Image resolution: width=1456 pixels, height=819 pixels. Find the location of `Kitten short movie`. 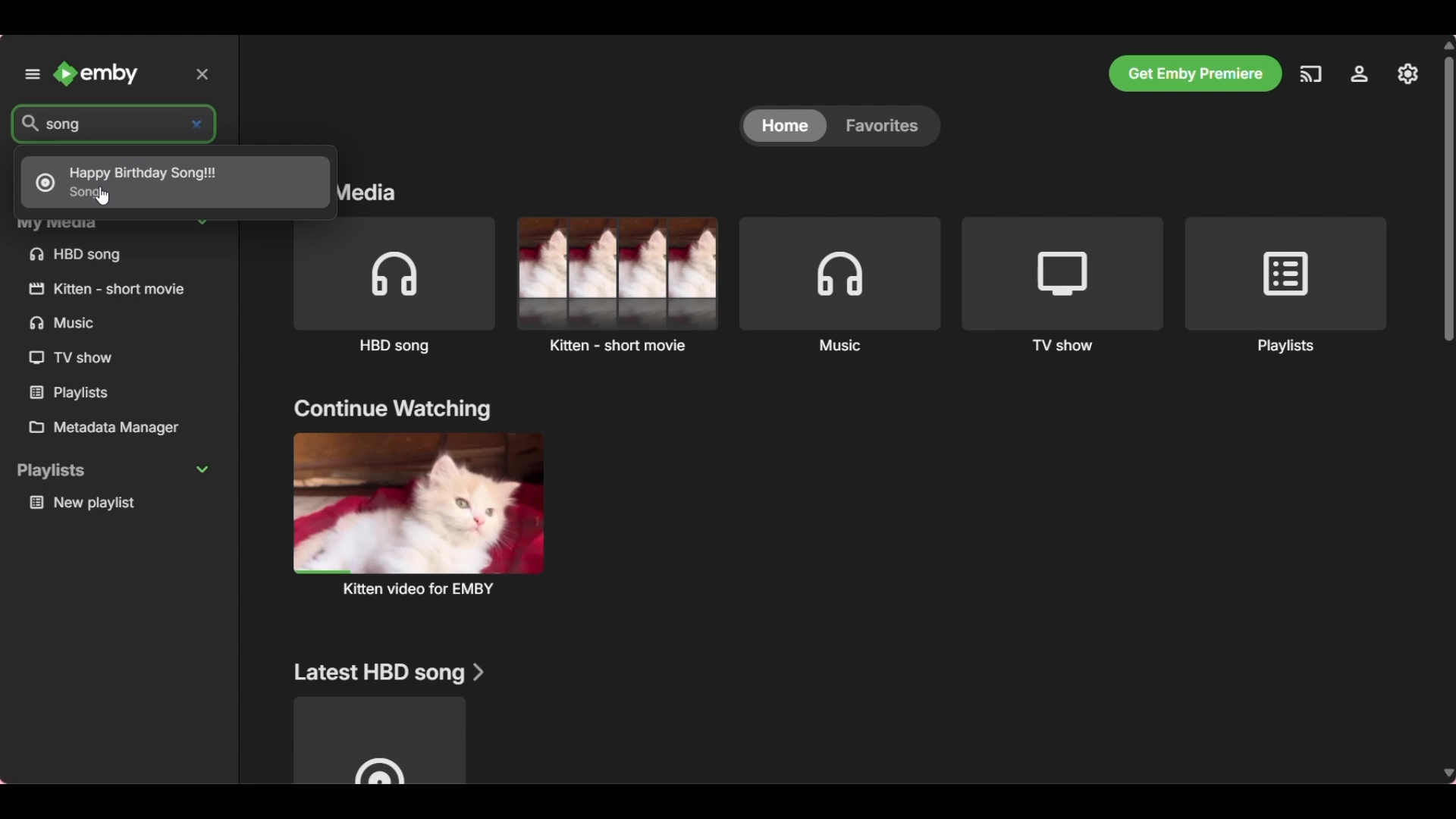

Kitten short movie is located at coordinates (617, 284).